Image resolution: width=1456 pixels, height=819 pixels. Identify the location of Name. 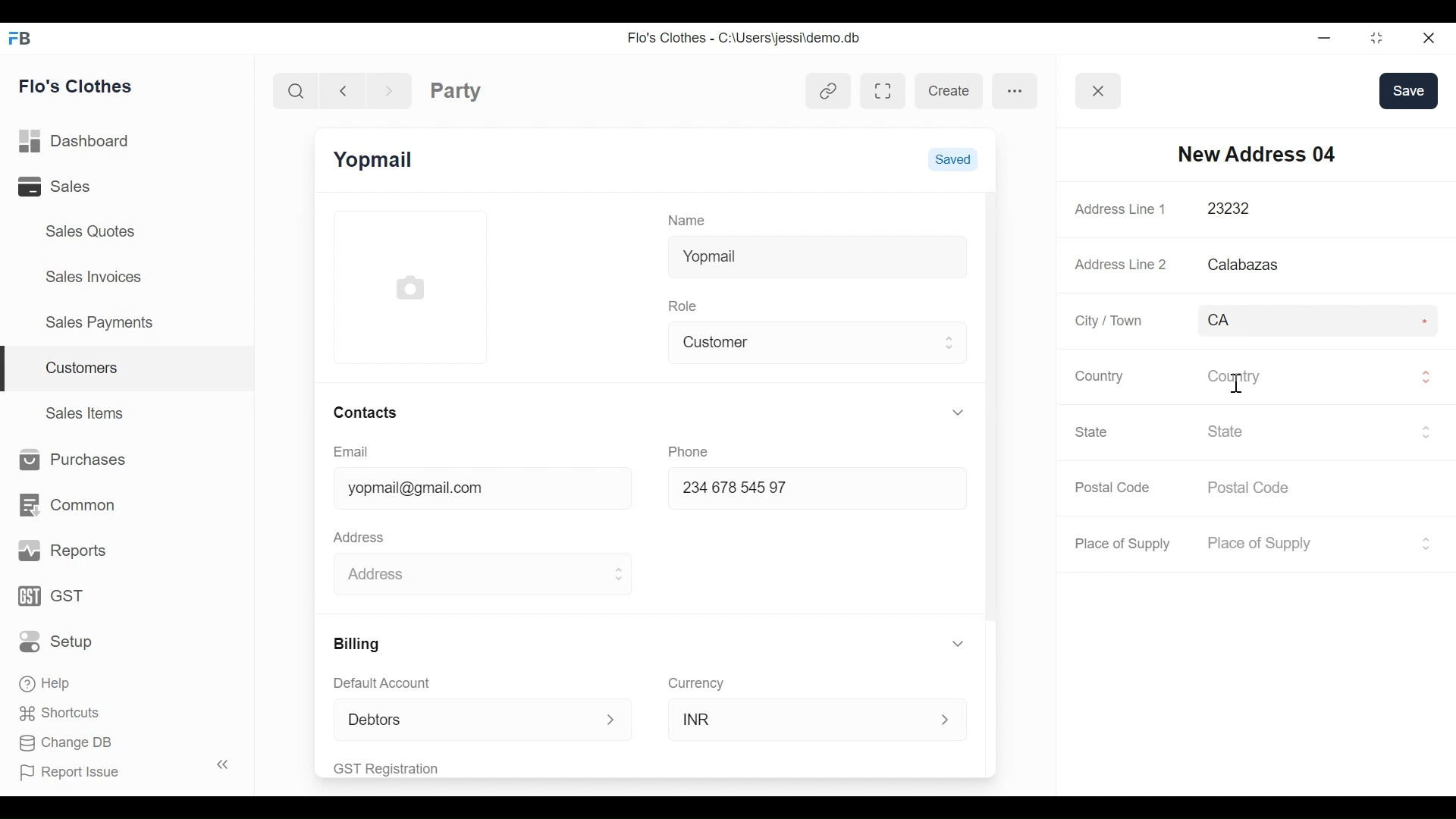
(690, 219).